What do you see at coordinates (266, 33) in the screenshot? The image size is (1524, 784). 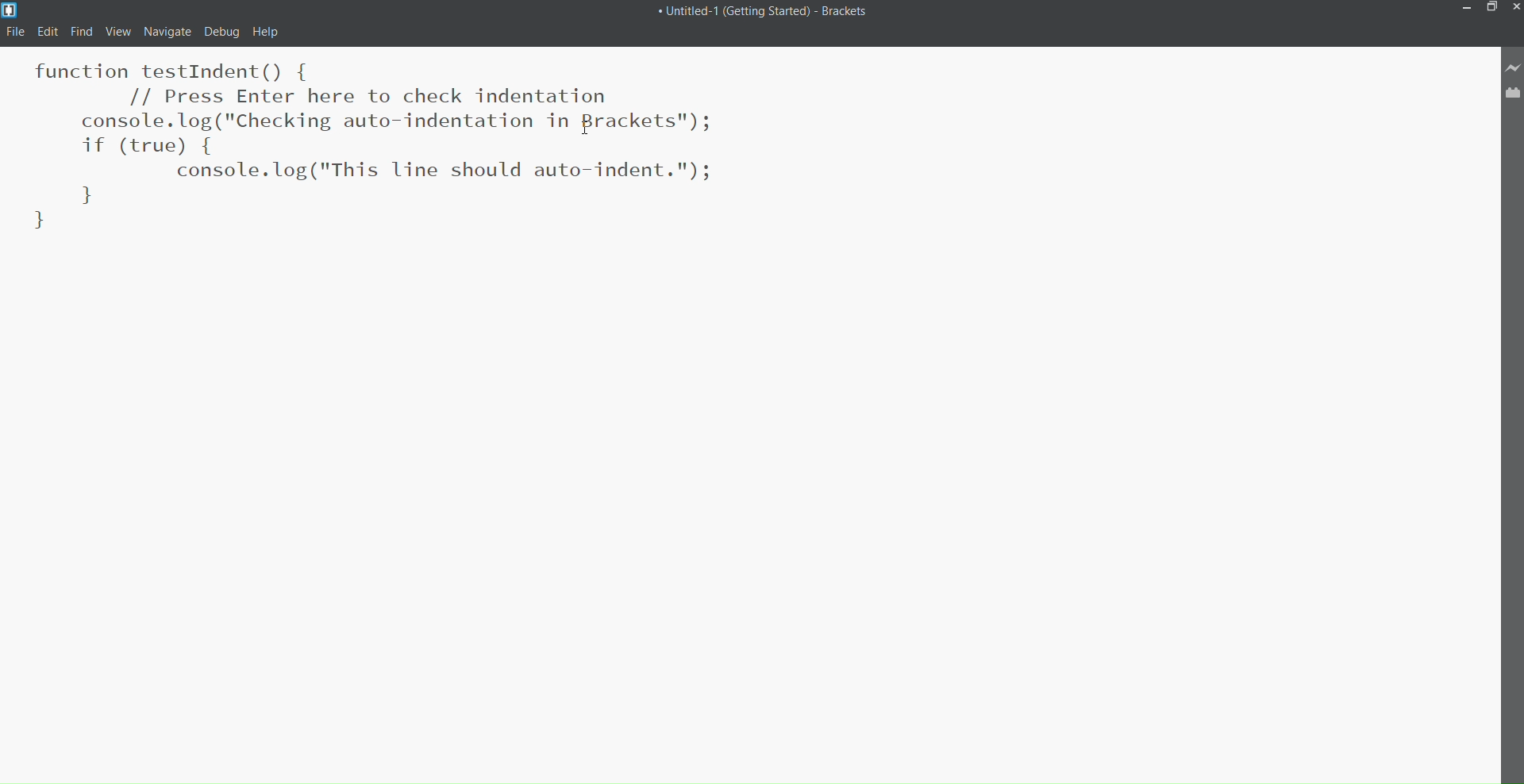 I see `help` at bounding box center [266, 33].